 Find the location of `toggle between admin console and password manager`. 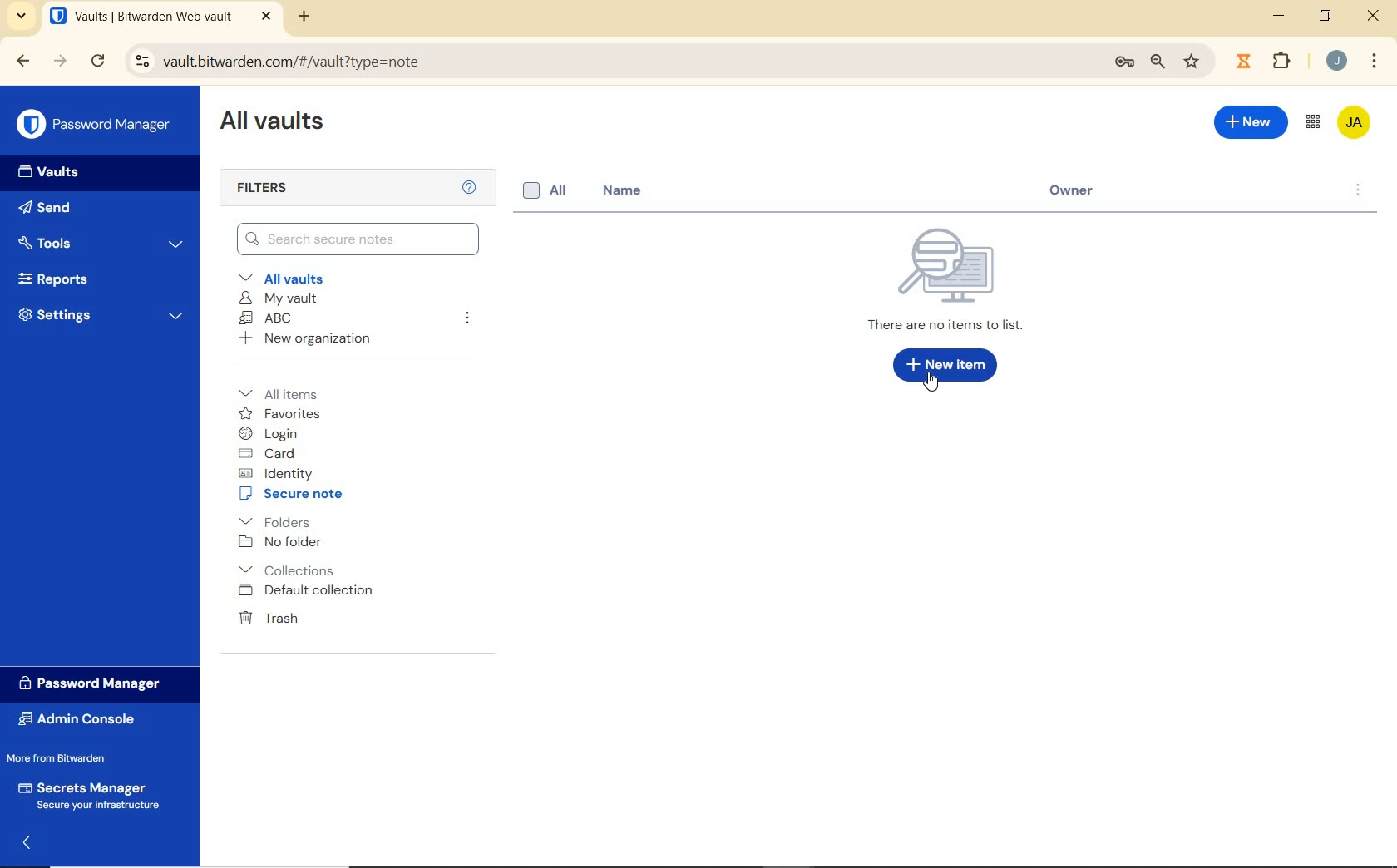

toggle between admin console and password manager is located at coordinates (1313, 123).